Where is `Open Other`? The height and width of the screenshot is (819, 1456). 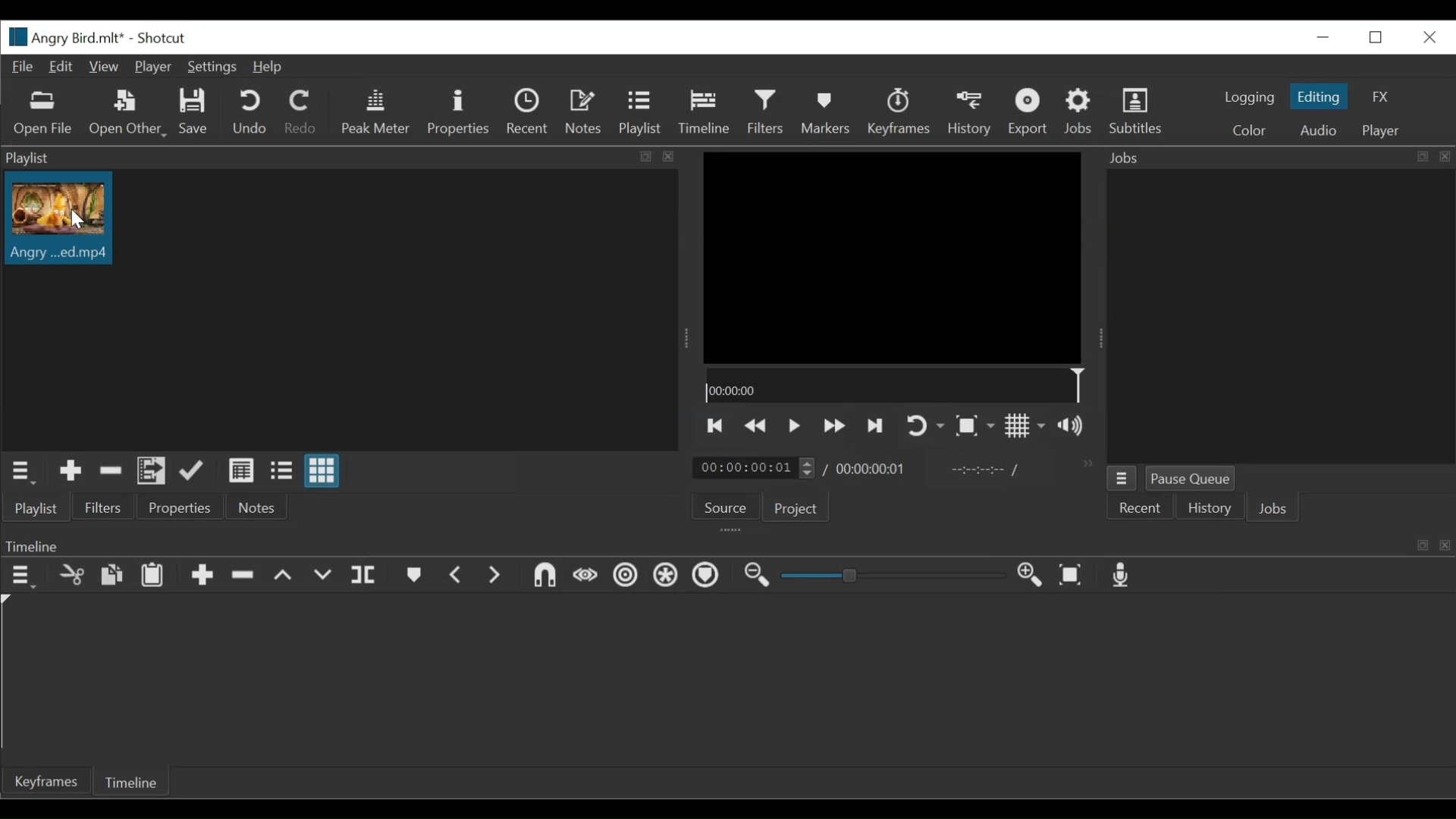 Open Other is located at coordinates (126, 114).